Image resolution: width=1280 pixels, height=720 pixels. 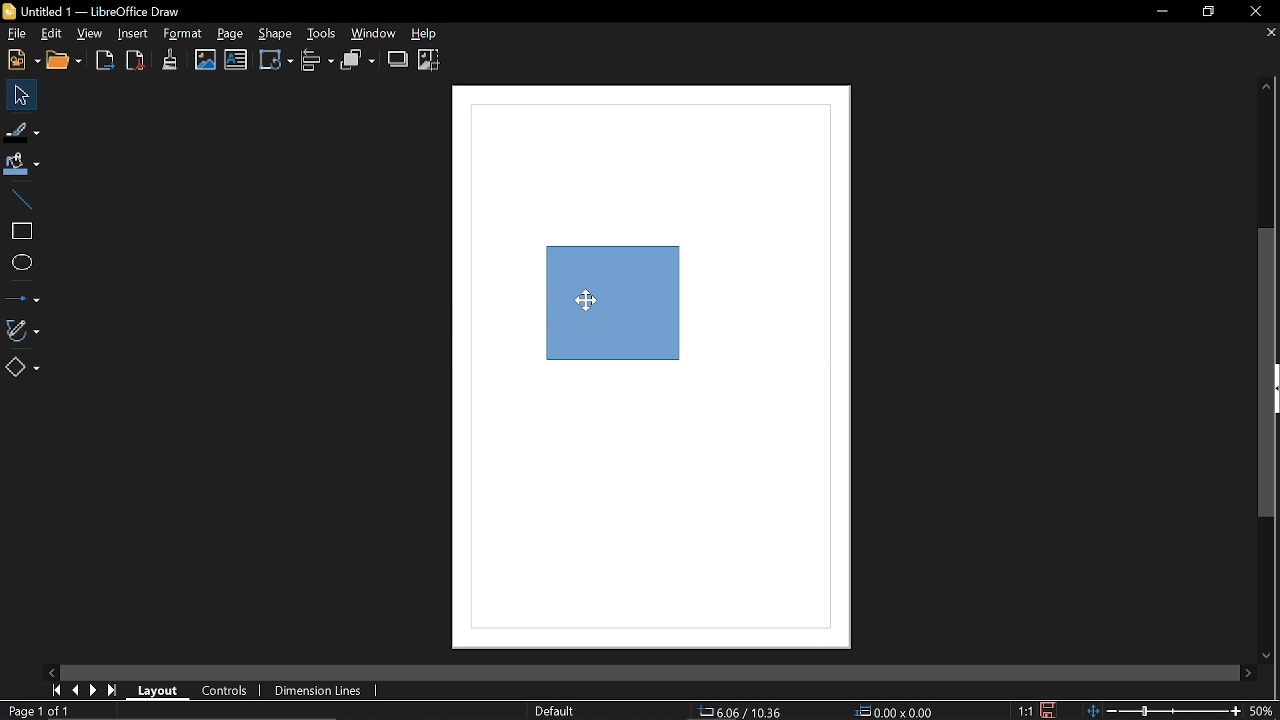 What do you see at coordinates (133, 34) in the screenshot?
I see `Insert` at bounding box center [133, 34].